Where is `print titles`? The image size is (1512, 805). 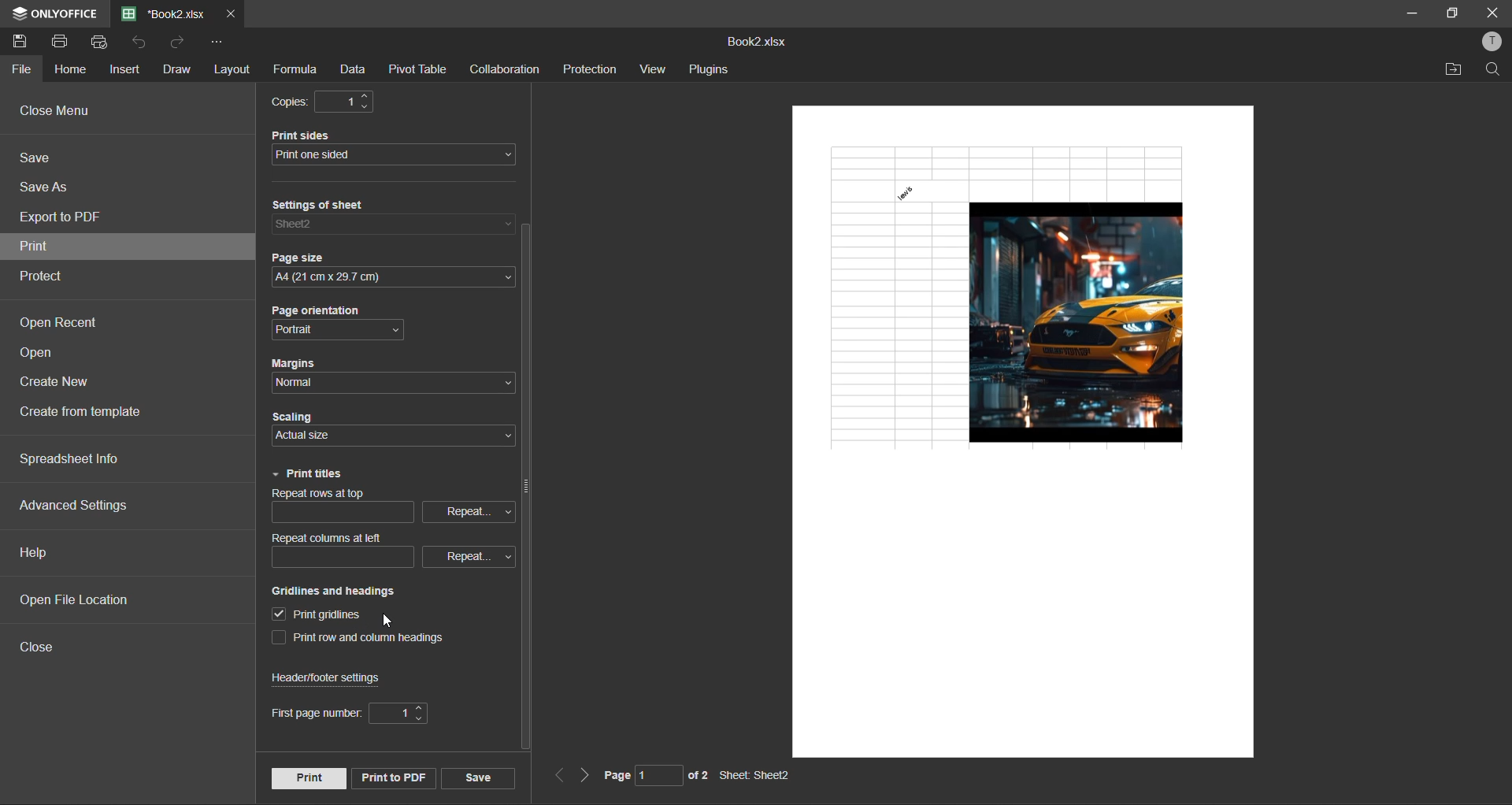
print titles is located at coordinates (306, 474).